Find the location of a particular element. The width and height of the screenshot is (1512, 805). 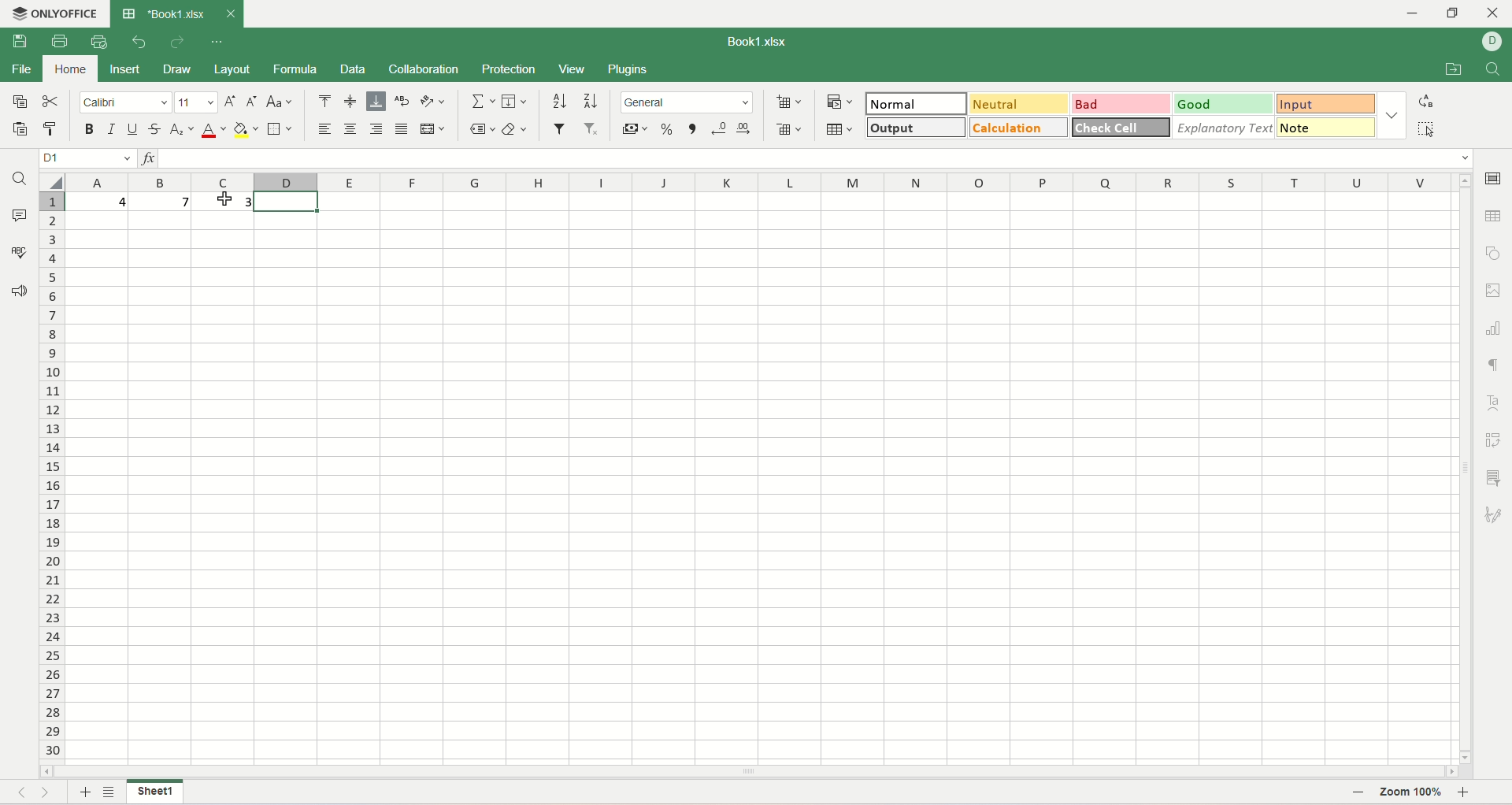

clear is located at coordinates (515, 130).